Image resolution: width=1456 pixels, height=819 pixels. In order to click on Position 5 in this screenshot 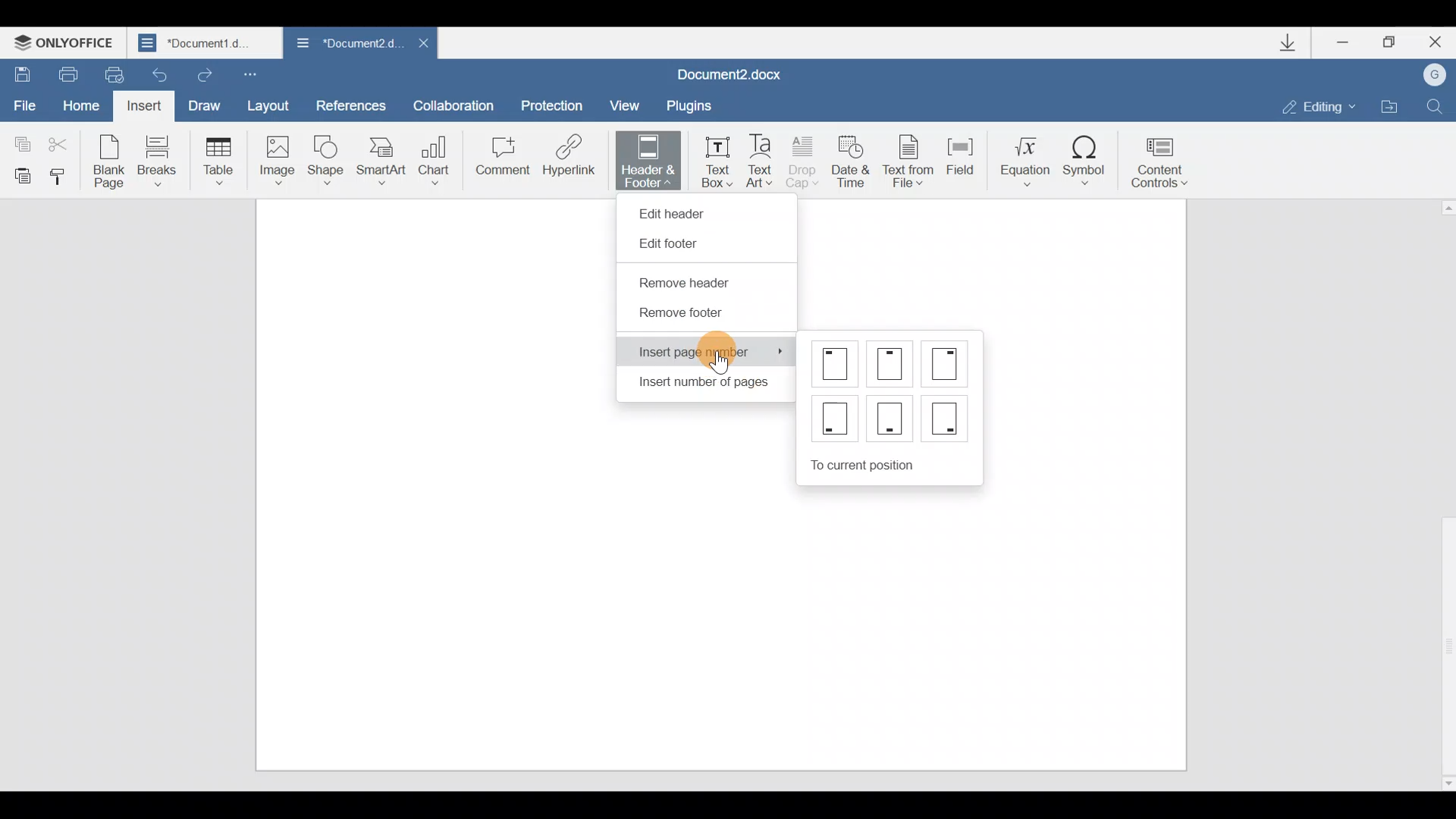, I will do `click(892, 417)`.